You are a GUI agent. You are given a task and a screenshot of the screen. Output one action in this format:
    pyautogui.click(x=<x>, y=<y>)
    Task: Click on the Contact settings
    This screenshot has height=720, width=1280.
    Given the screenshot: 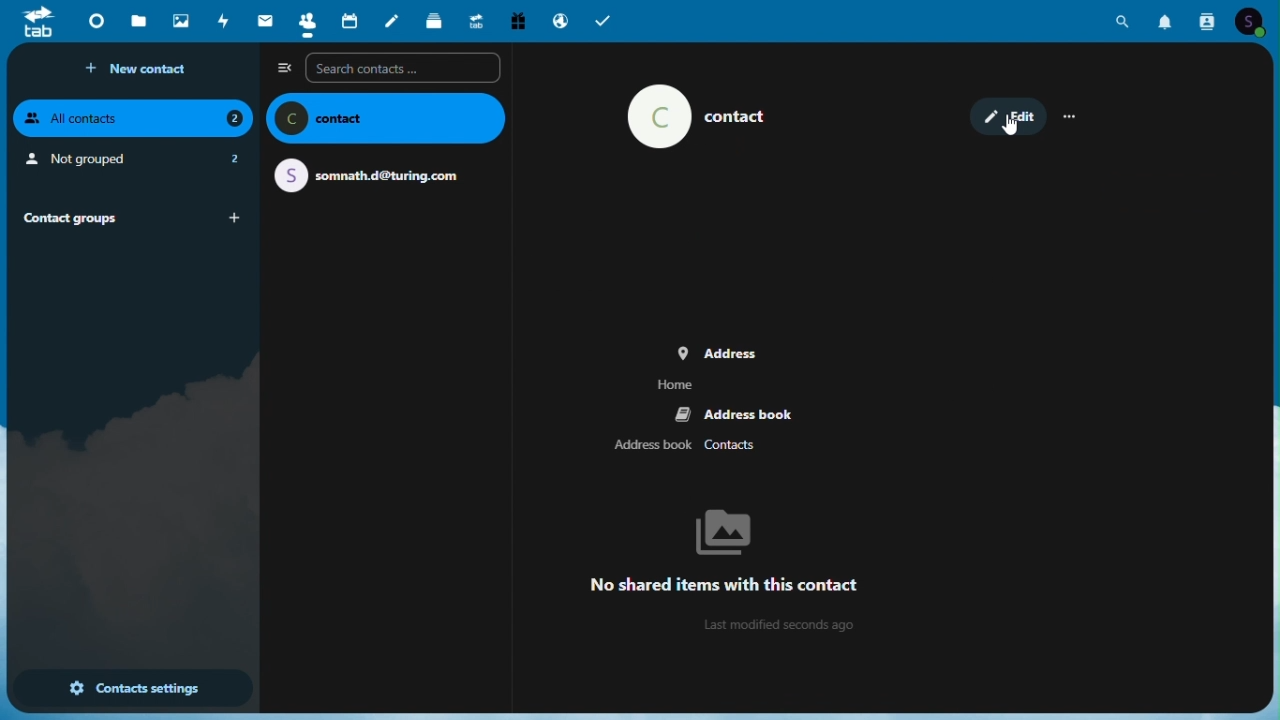 What is the action you would take?
    pyautogui.click(x=131, y=690)
    